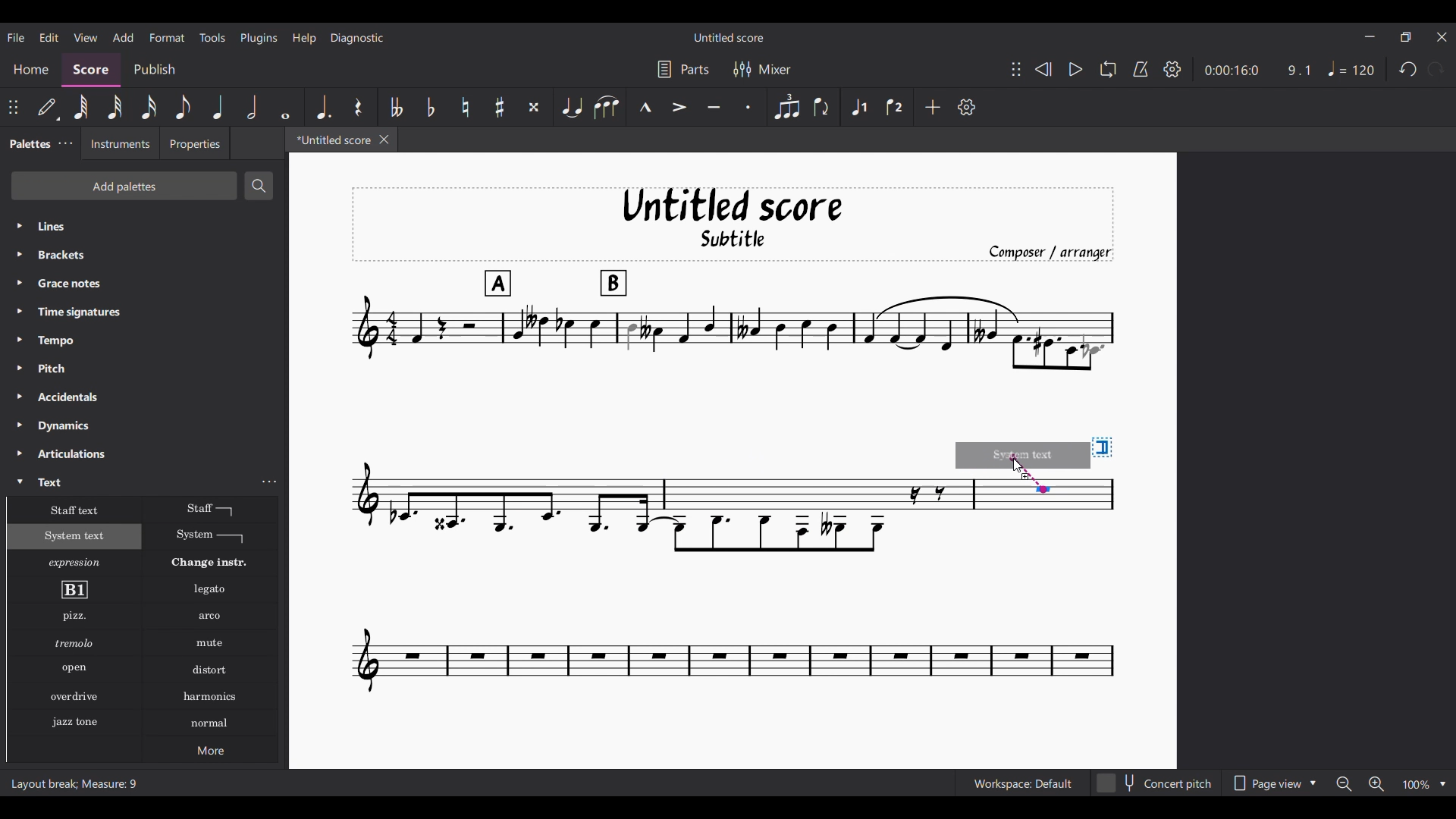 Image resolution: width=1456 pixels, height=819 pixels. What do you see at coordinates (714, 108) in the screenshot?
I see `Tenuto` at bounding box center [714, 108].